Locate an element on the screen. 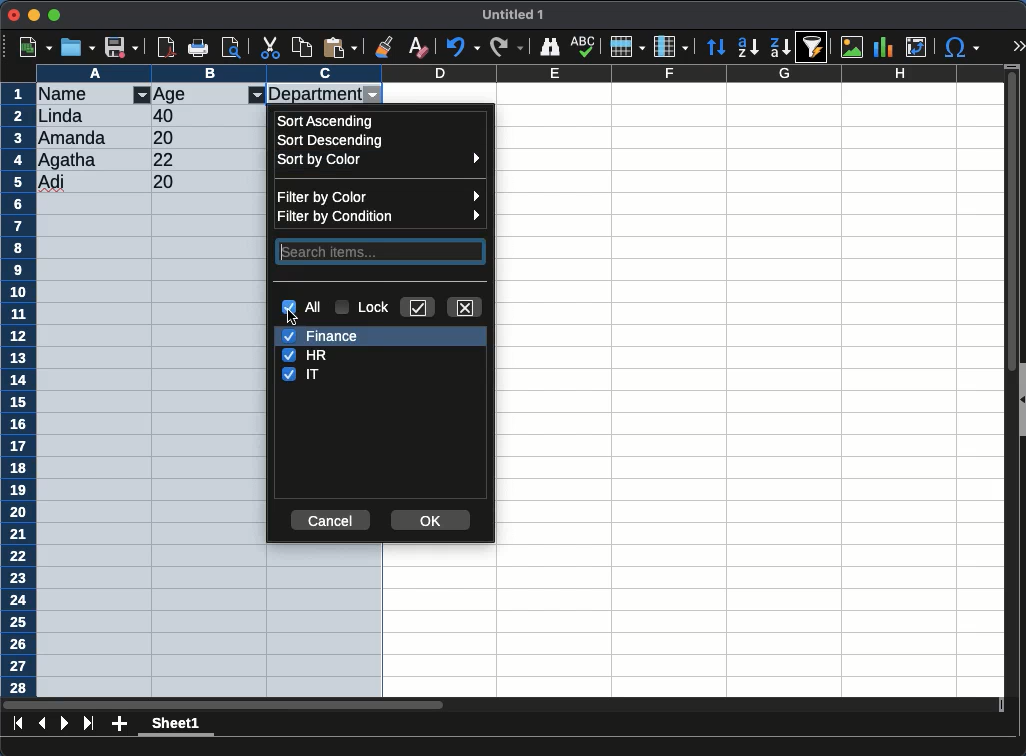  print is located at coordinates (201, 47).